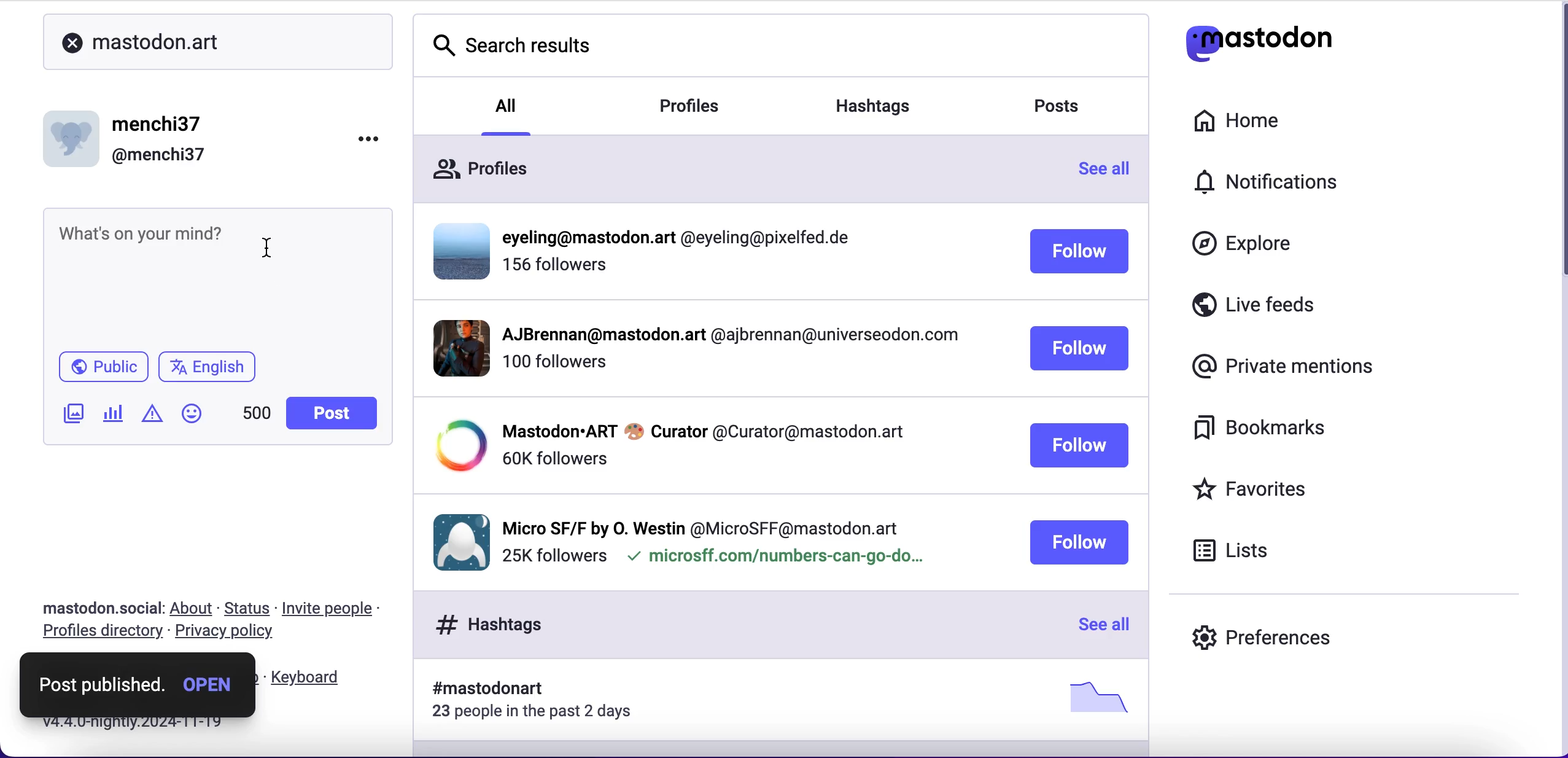 This screenshot has height=758, width=1568. I want to click on public, so click(99, 367).